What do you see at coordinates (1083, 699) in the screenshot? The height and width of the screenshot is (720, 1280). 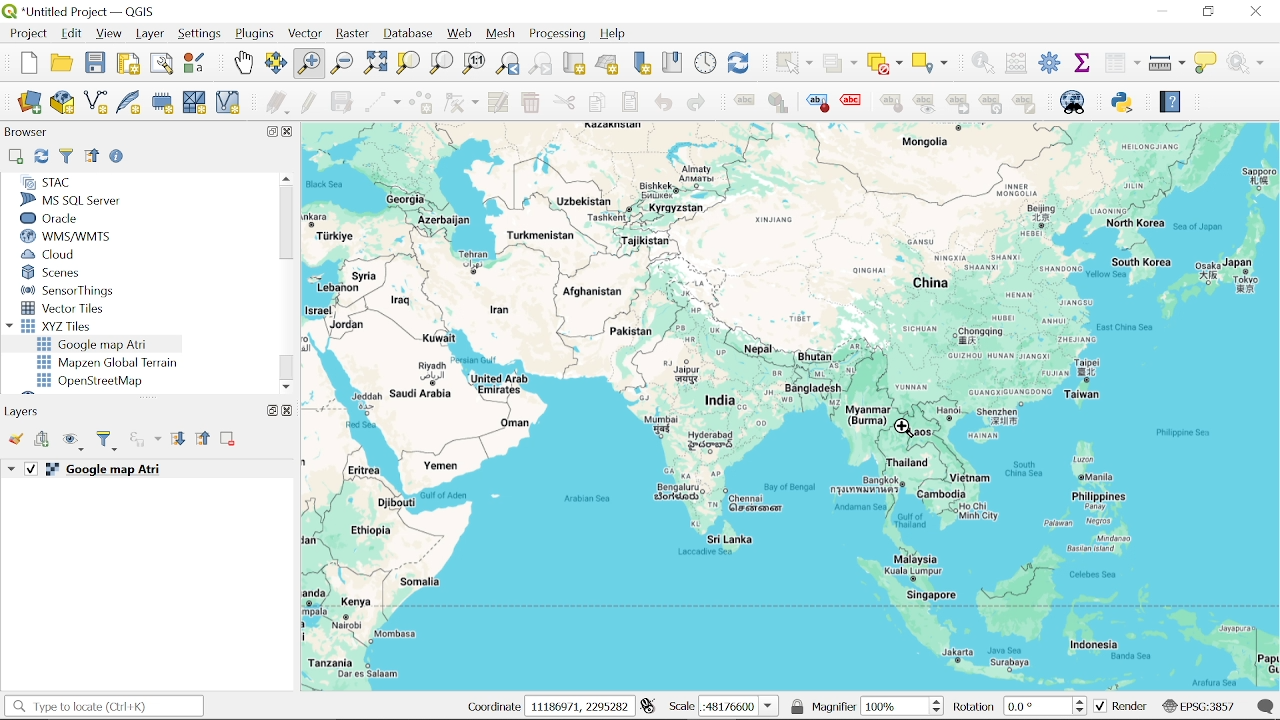 I see `Increase` at bounding box center [1083, 699].